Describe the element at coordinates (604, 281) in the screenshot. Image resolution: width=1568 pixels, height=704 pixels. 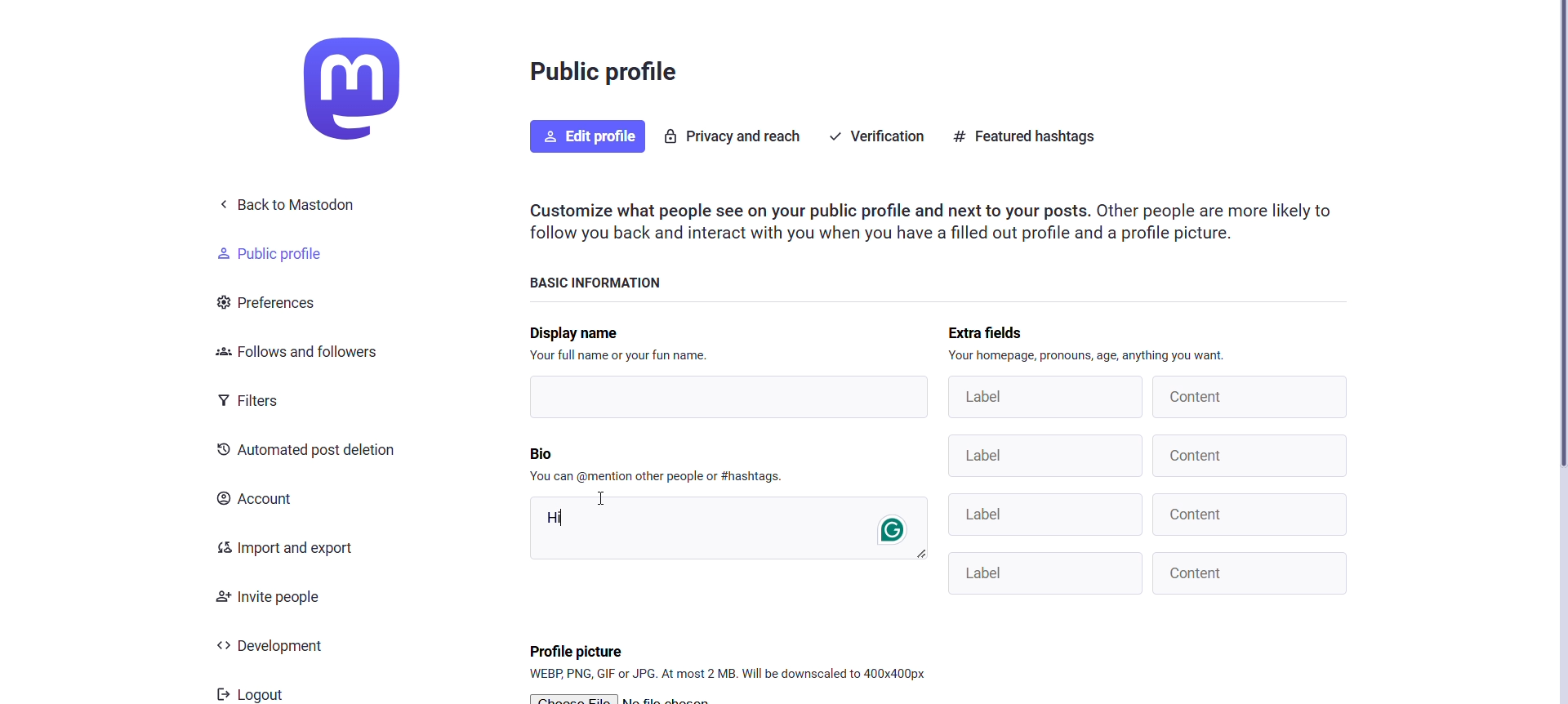
I see `Basic Information` at that location.